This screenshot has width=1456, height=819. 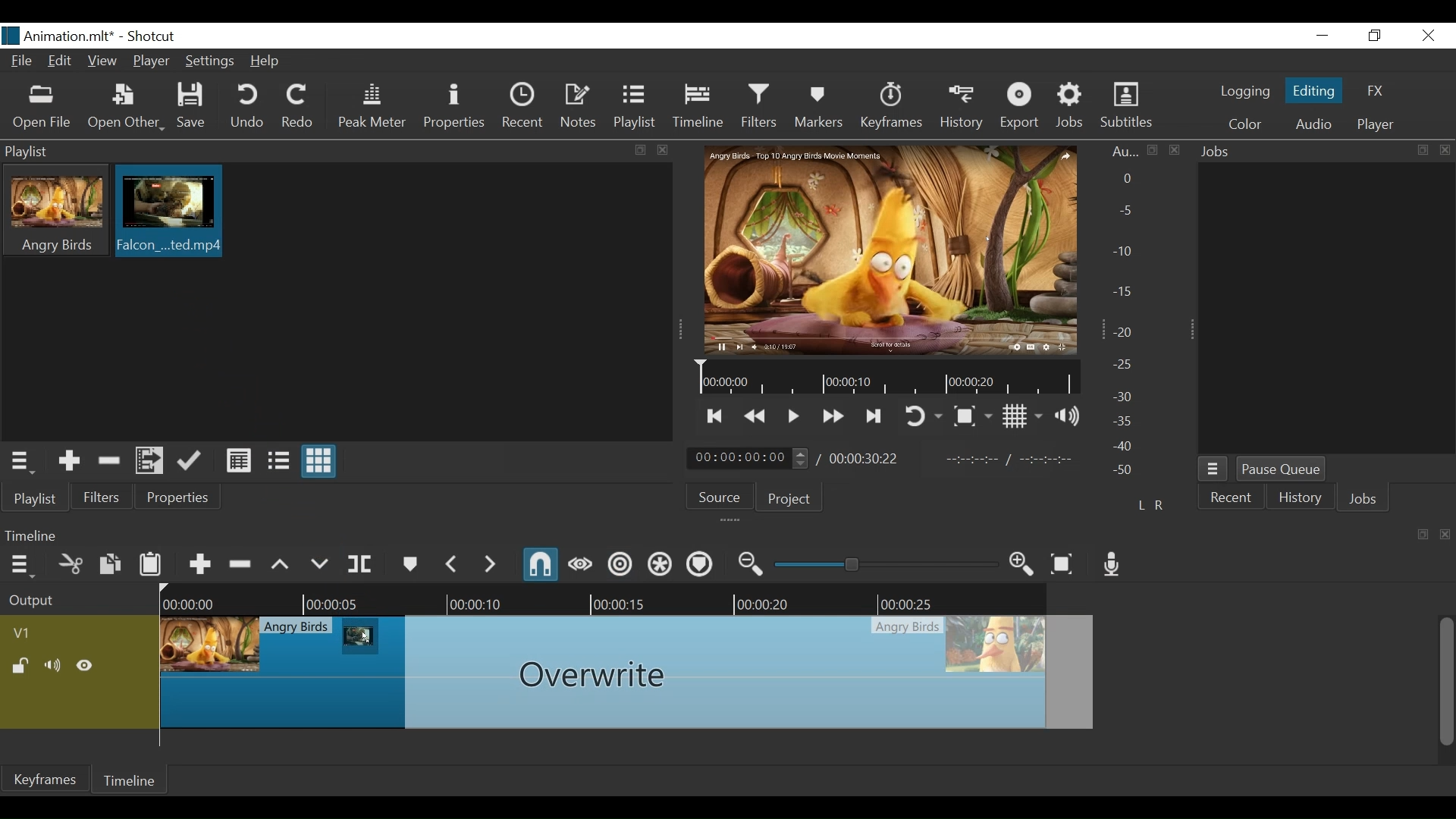 What do you see at coordinates (1112, 565) in the screenshot?
I see `Record Audio` at bounding box center [1112, 565].